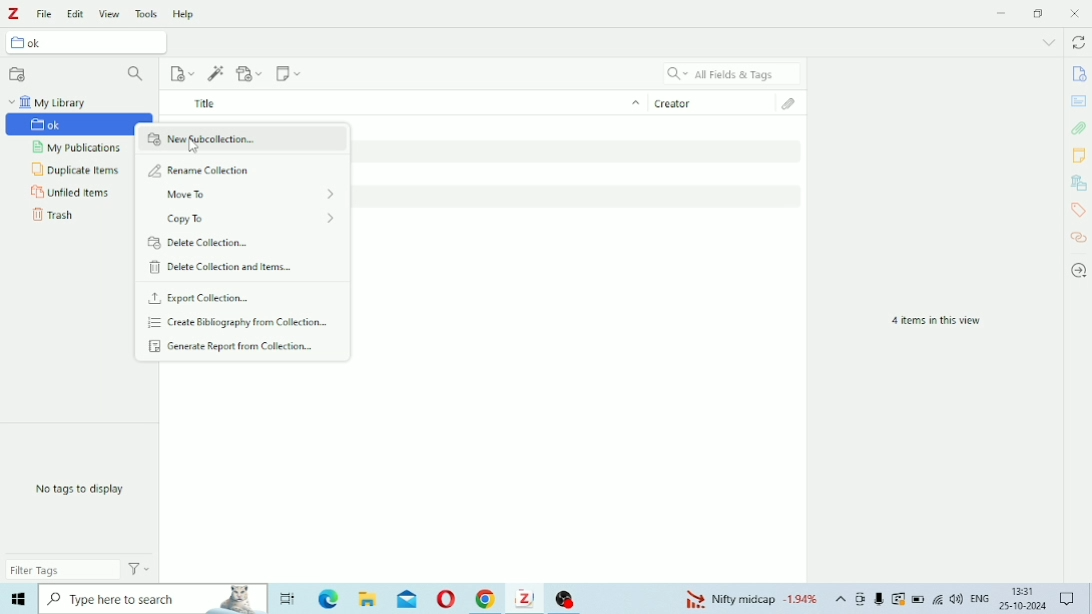  I want to click on Meet Now, so click(861, 599).